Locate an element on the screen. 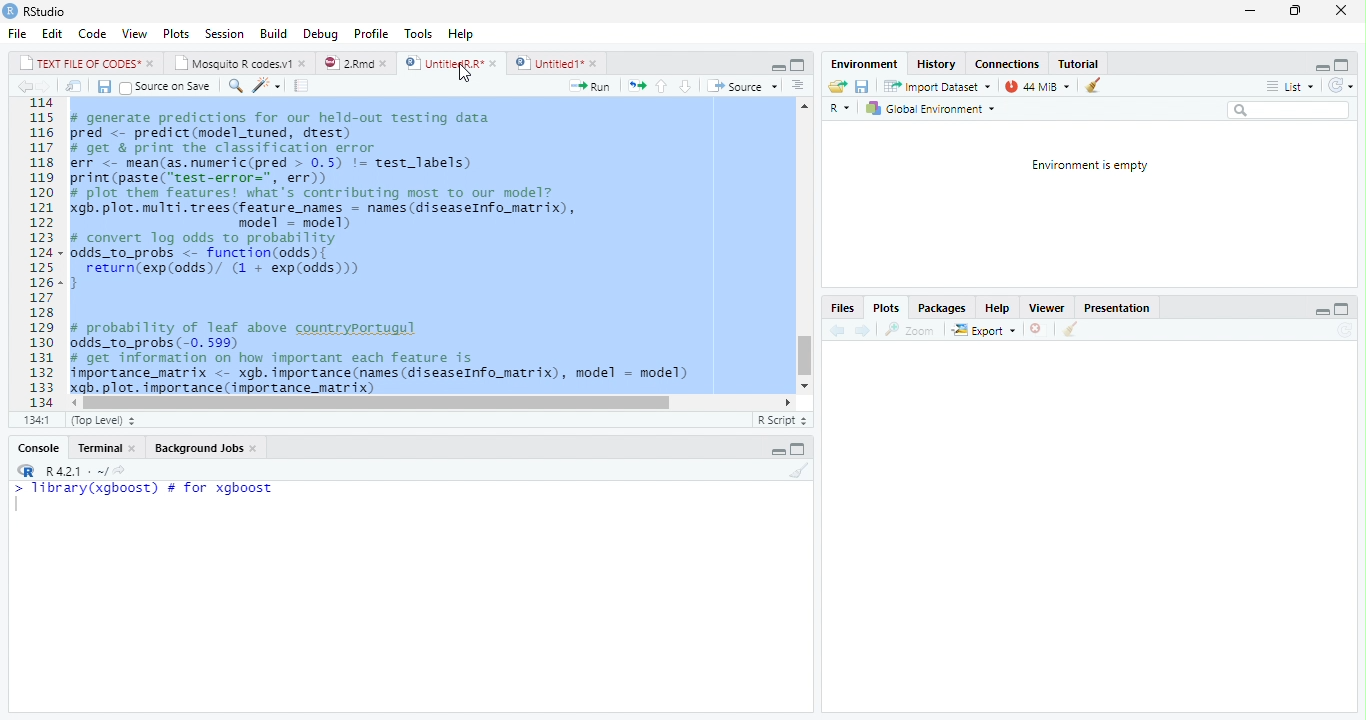 The image size is (1366, 720). Cursor is located at coordinates (464, 73).